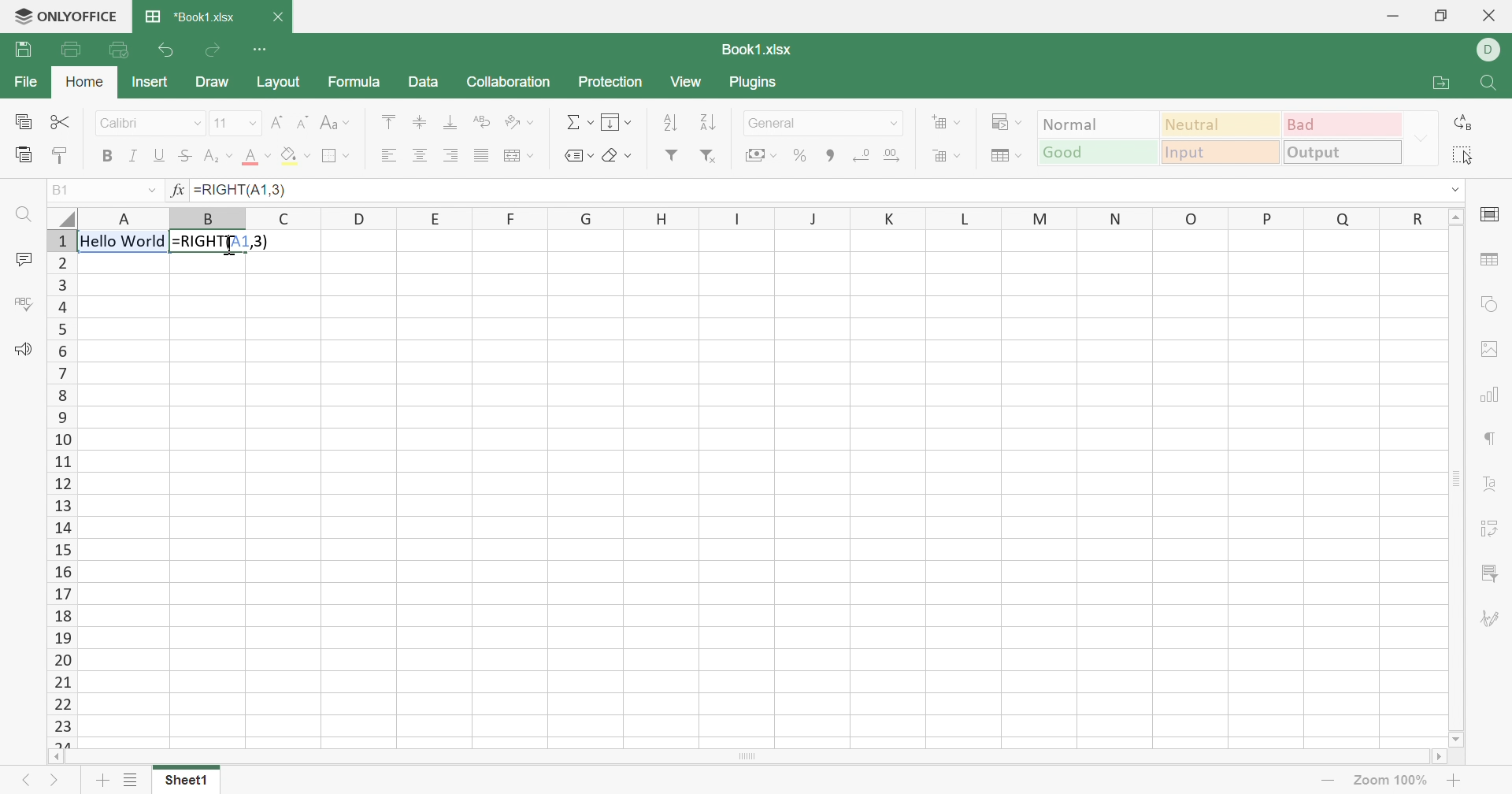  Describe the element at coordinates (1342, 152) in the screenshot. I see `Output` at that location.